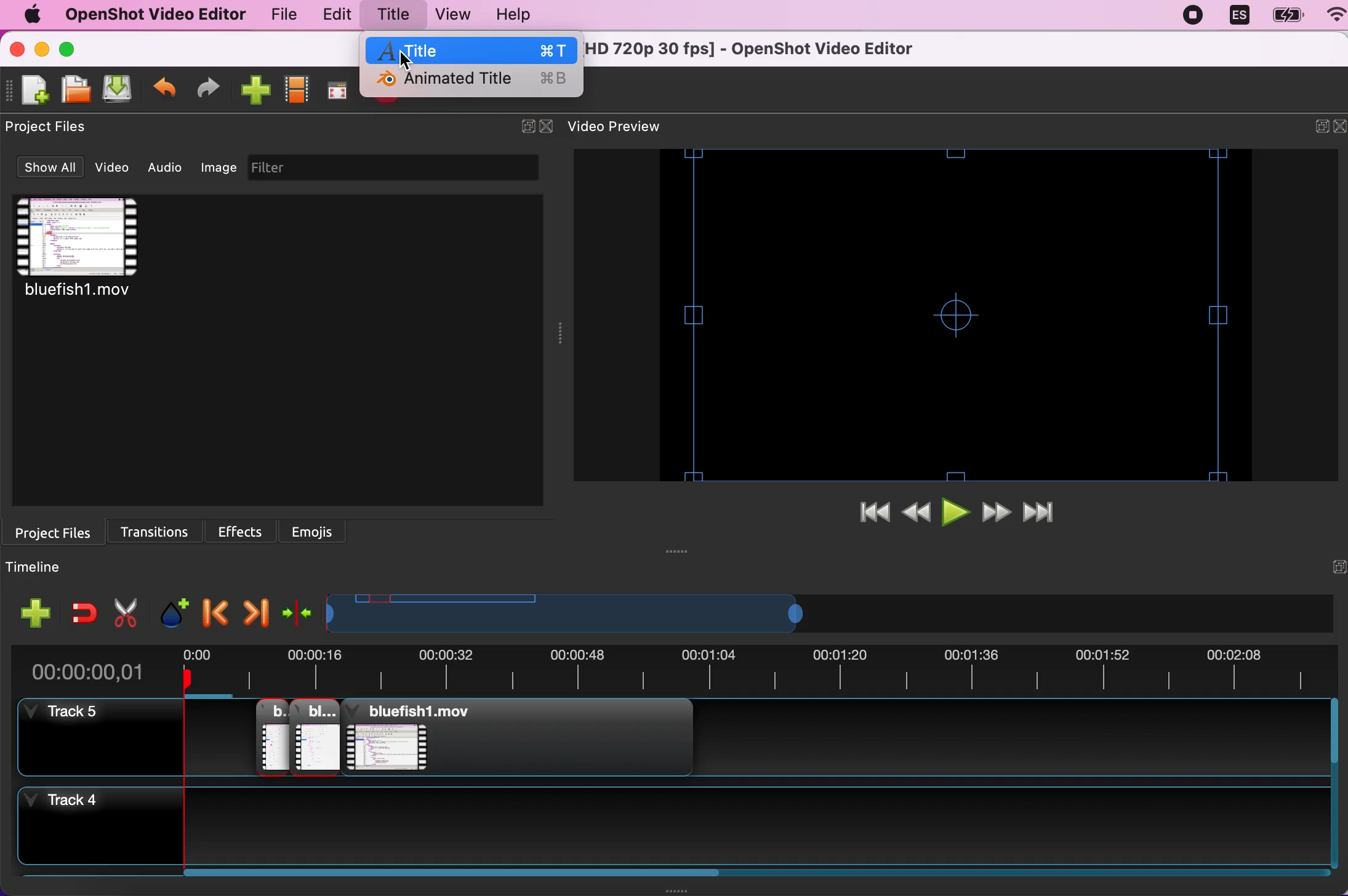  What do you see at coordinates (89, 668) in the screenshot?
I see `00:00:00,01` at bounding box center [89, 668].